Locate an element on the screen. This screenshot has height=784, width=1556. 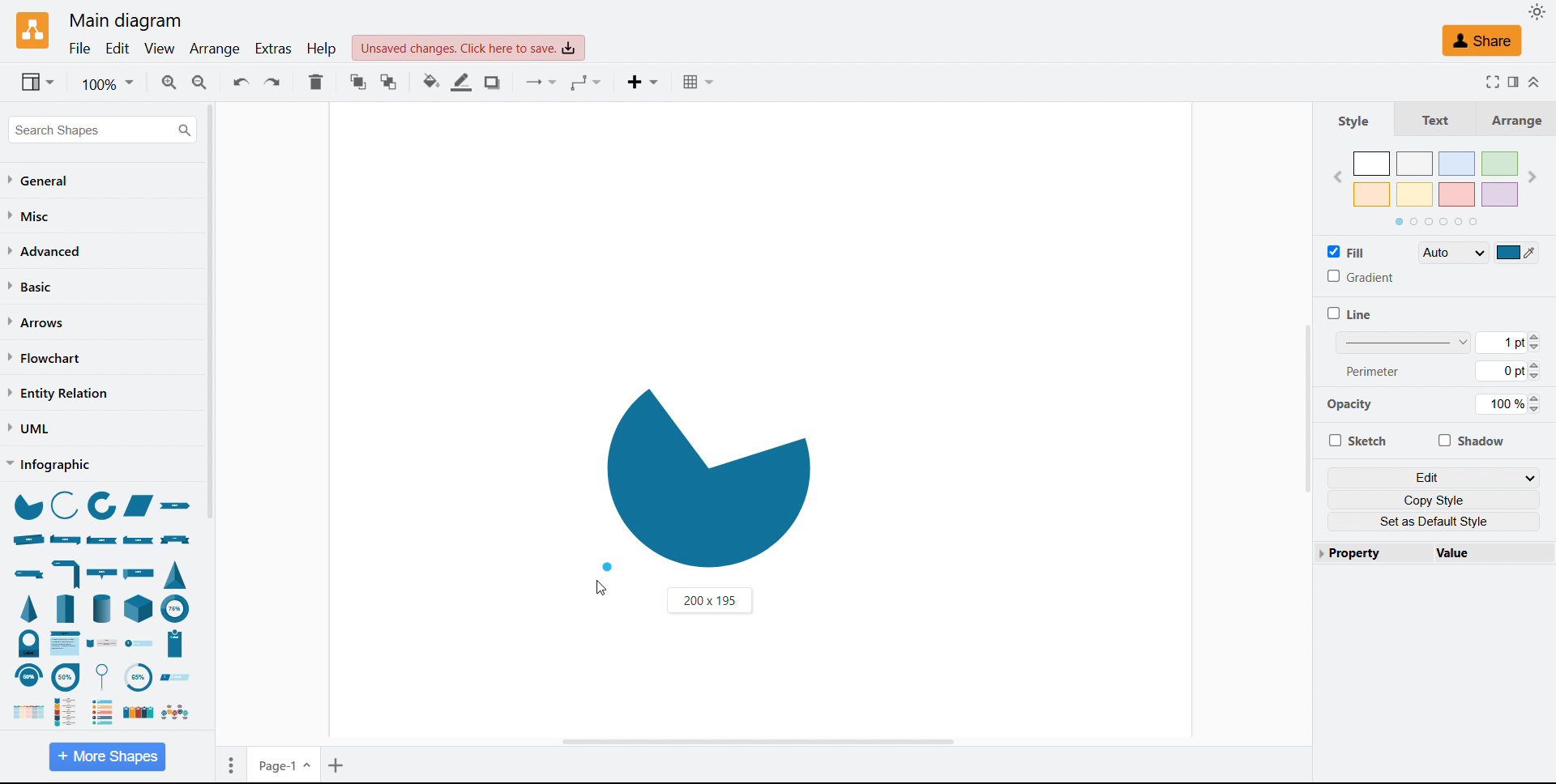
opacity is located at coordinates (1356, 407).